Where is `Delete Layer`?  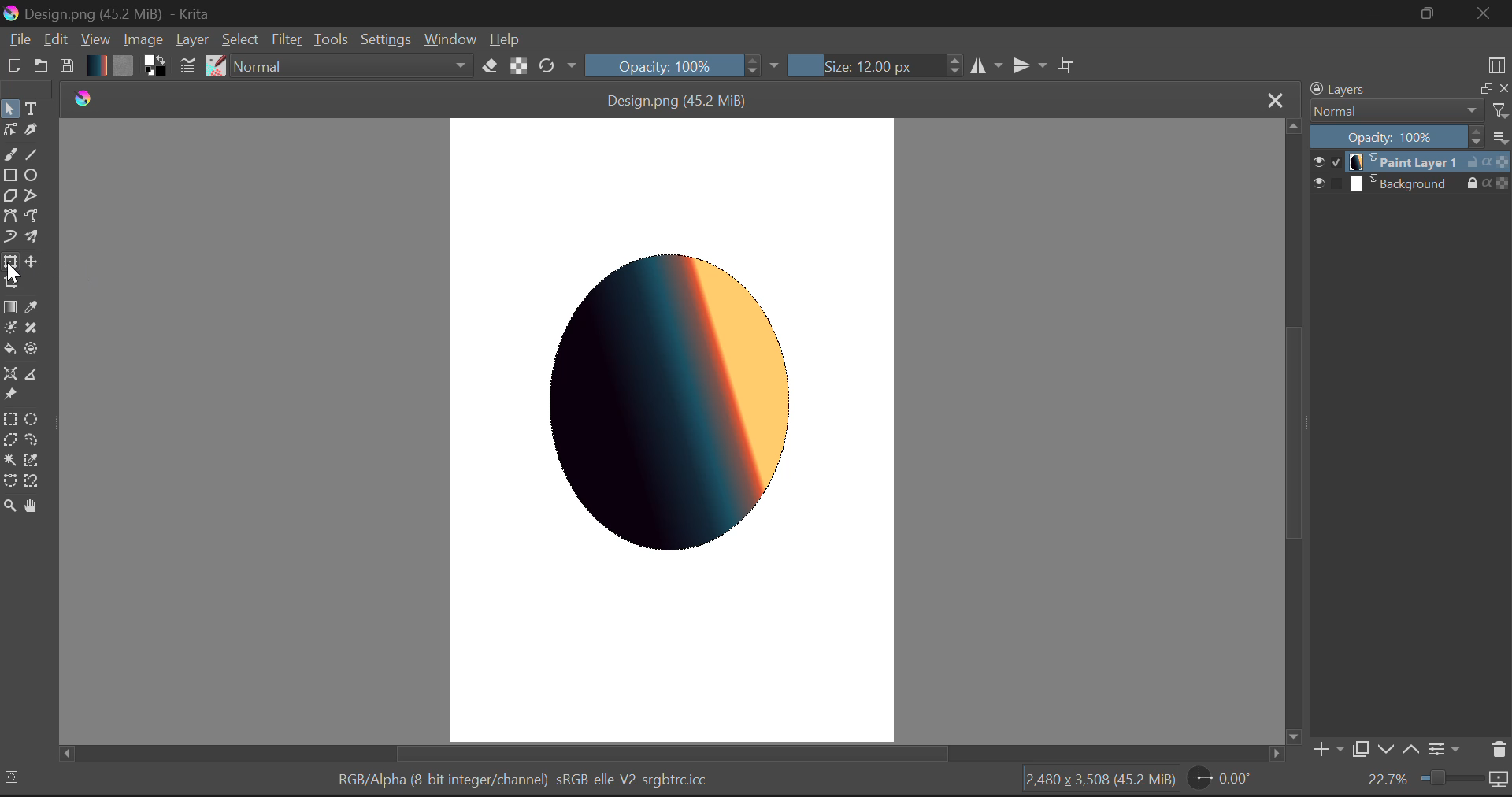 Delete Layer is located at coordinates (1497, 749).